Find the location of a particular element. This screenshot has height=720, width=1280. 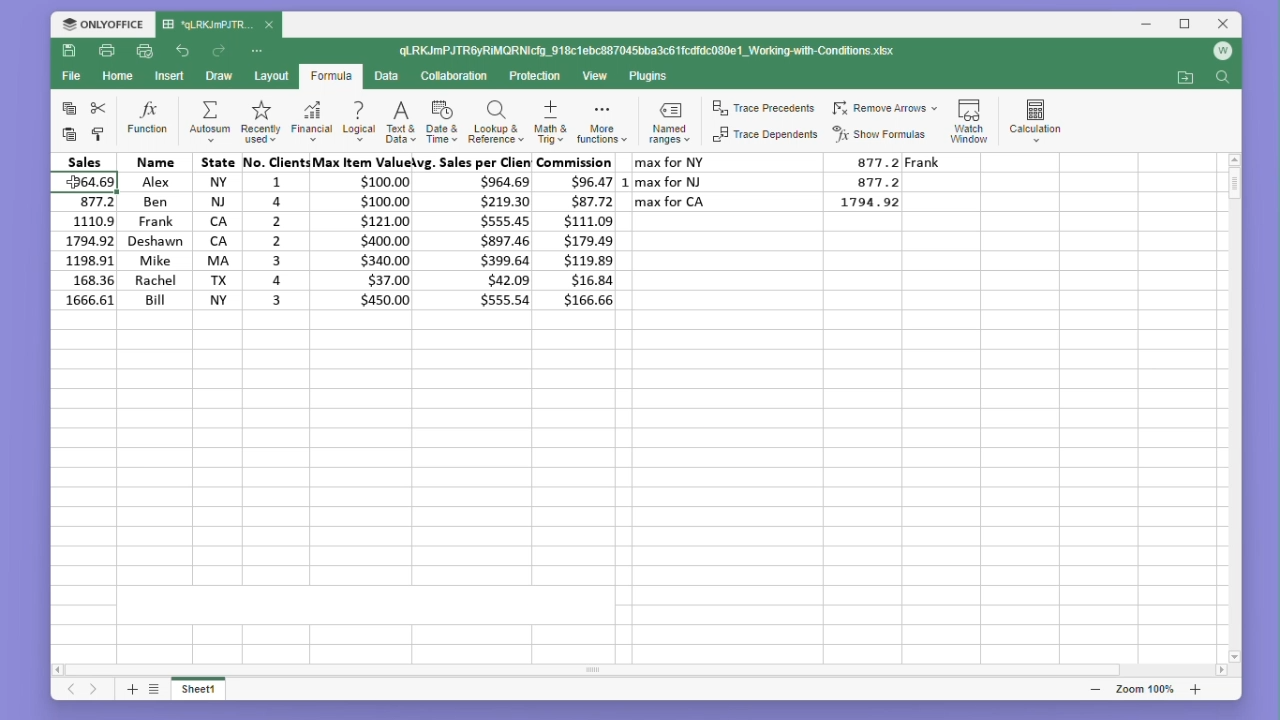

Protection is located at coordinates (533, 77).